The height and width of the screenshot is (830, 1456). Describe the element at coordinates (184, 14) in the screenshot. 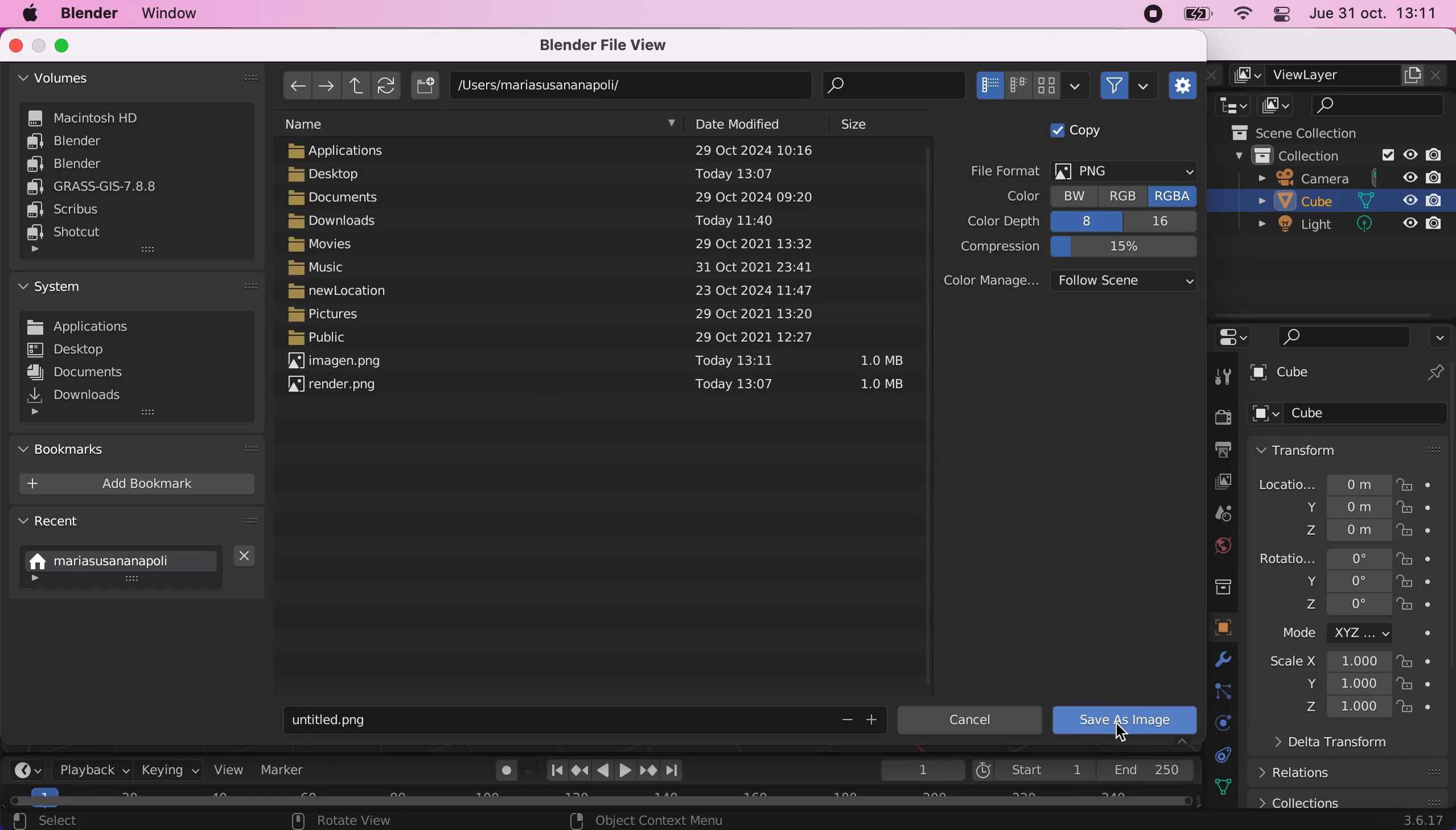

I see `window` at that location.